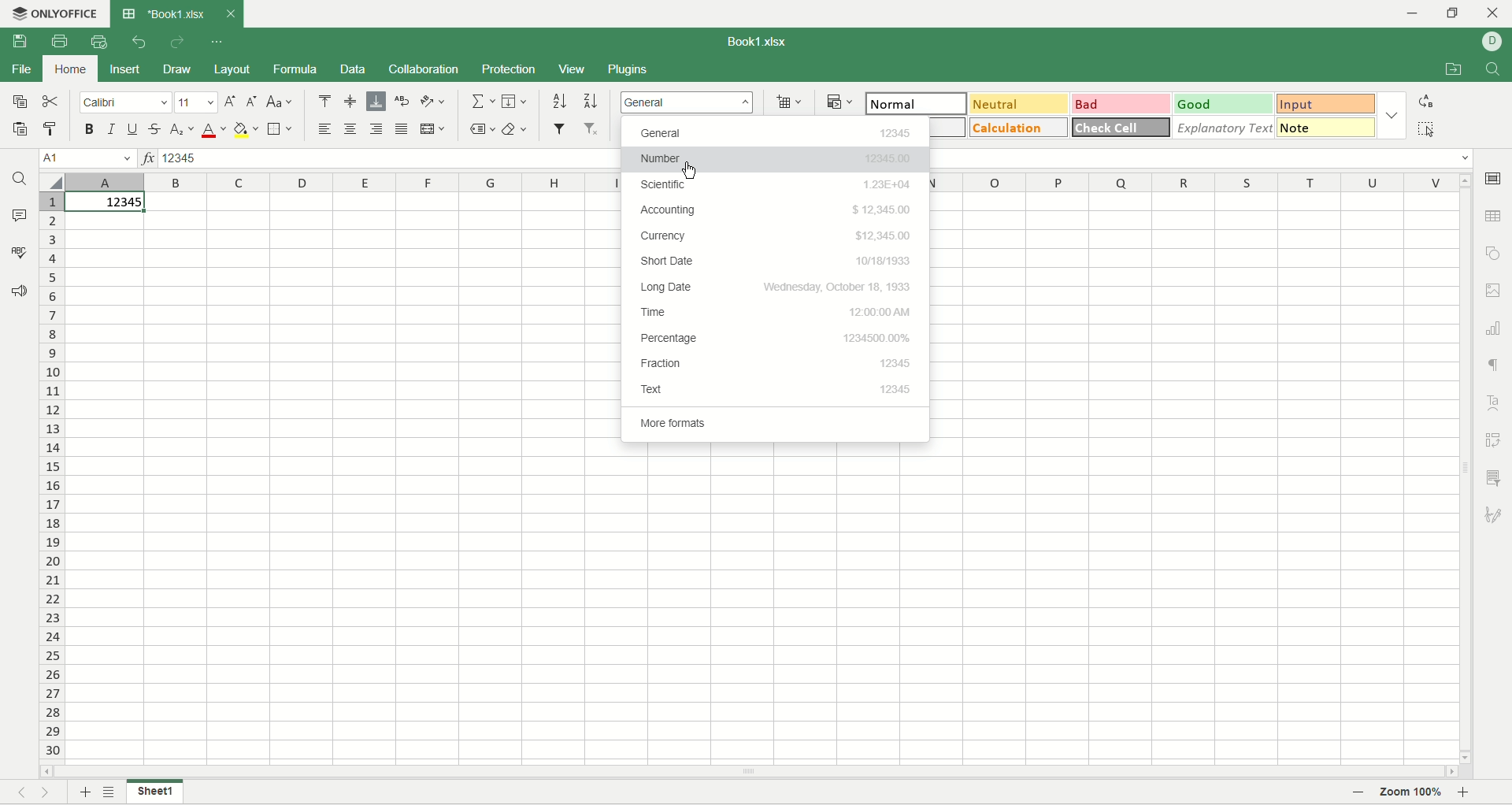 The width and height of the screenshot is (1512, 805). What do you see at coordinates (353, 70) in the screenshot?
I see `data` at bounding box center [353, 70].